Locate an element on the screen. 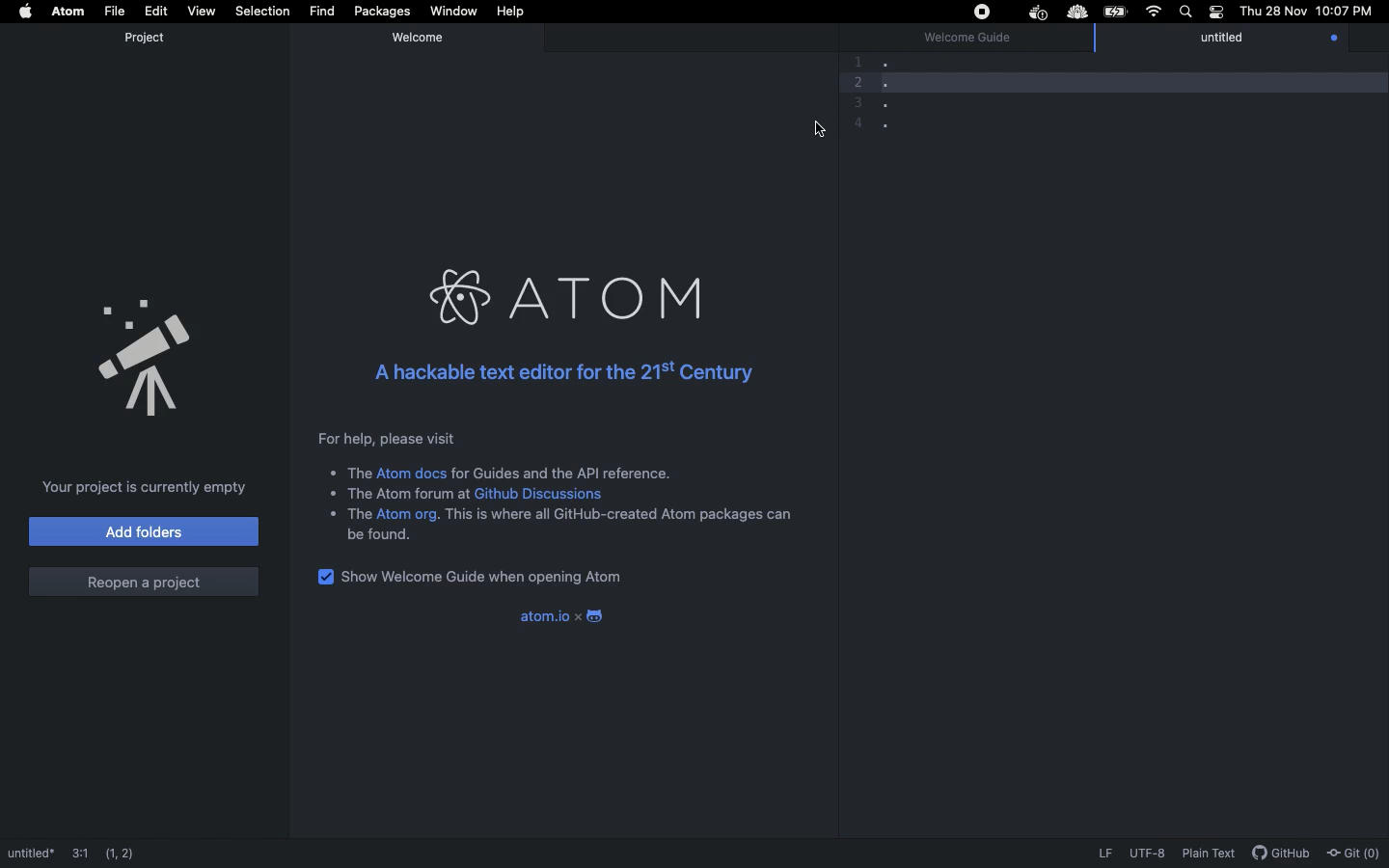  untitled* is located at coordinates (29, 850).